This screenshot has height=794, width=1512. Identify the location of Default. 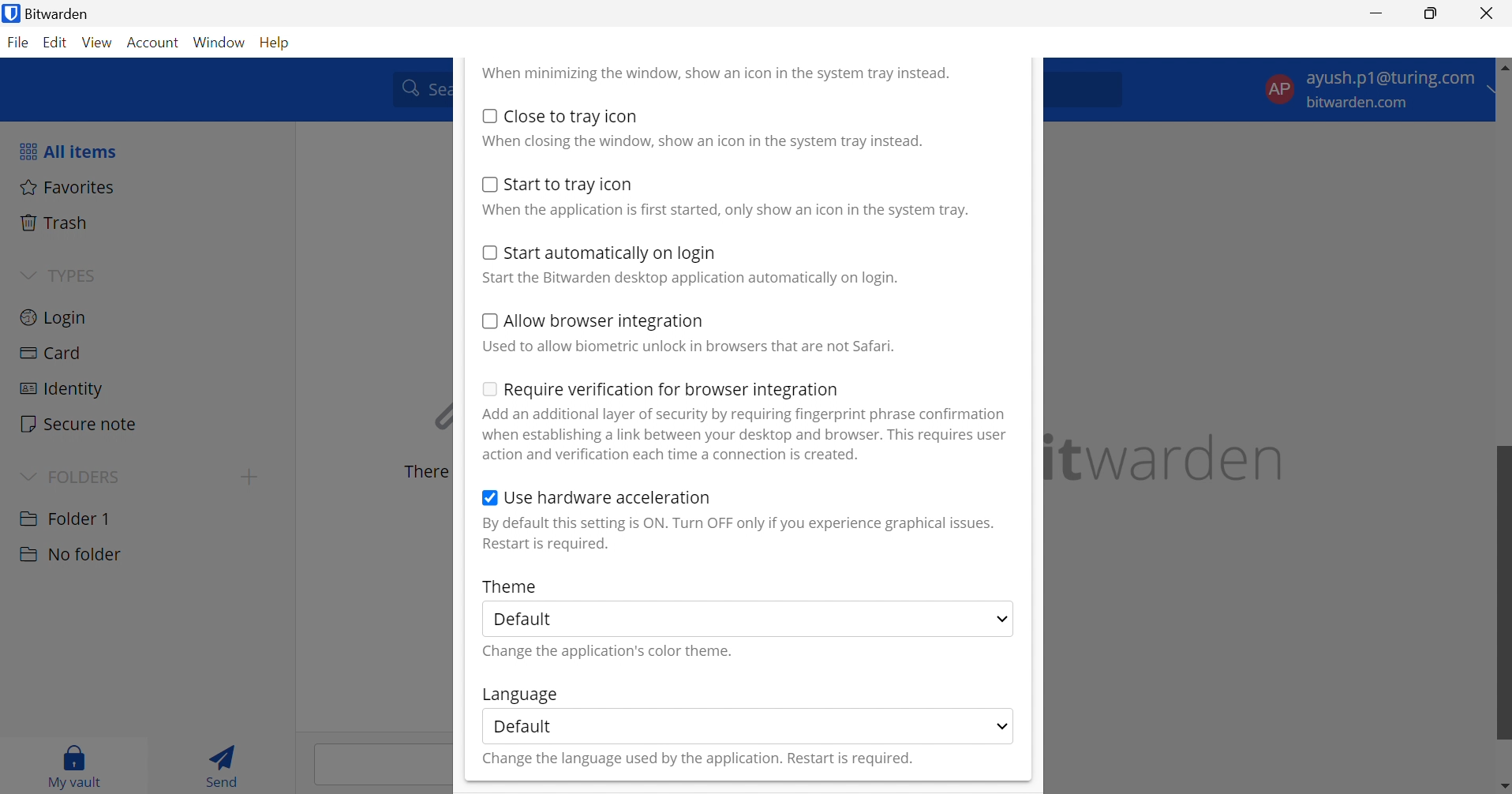
(523, 725).